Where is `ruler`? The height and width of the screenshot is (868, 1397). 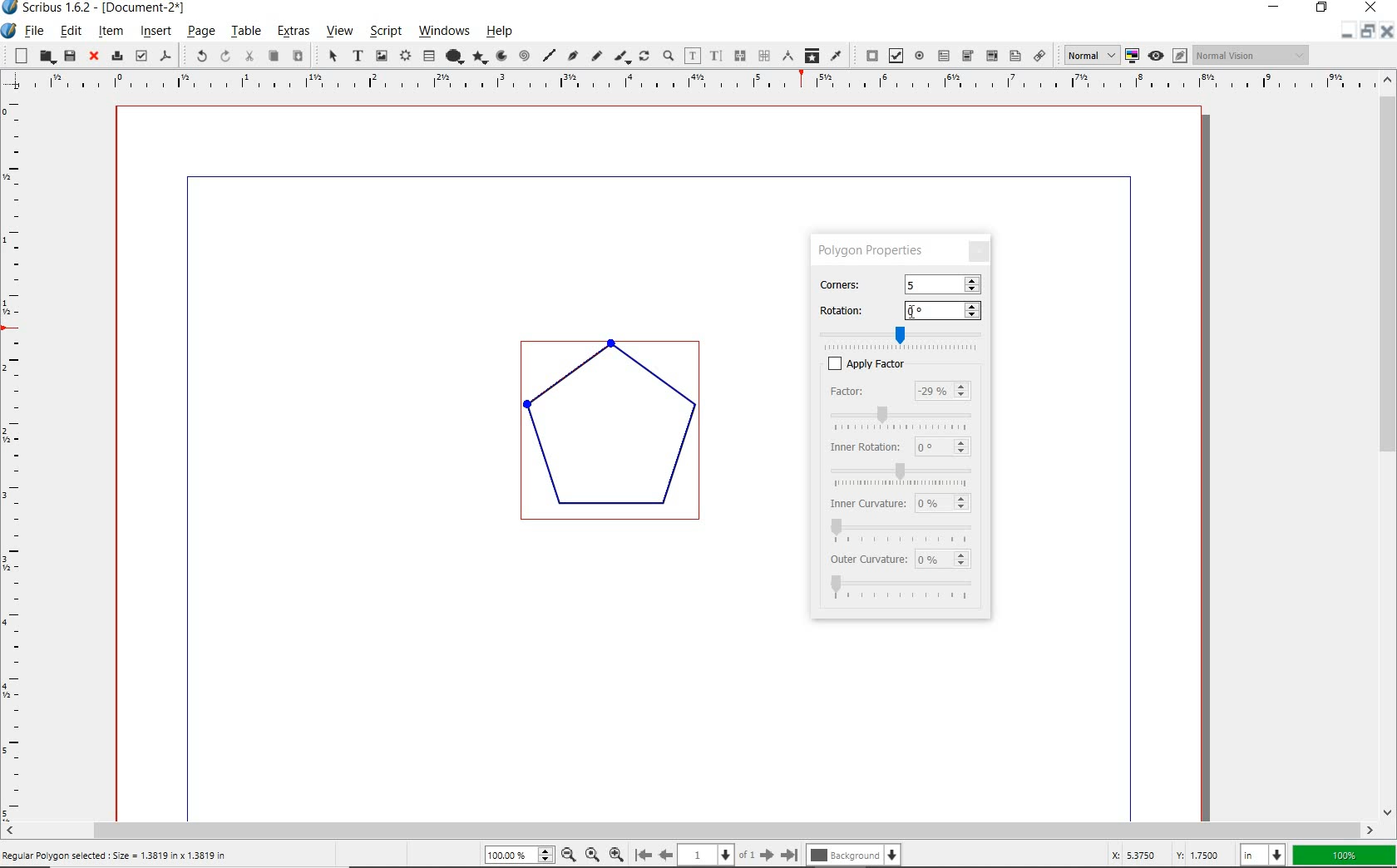 ruler is located at coordinates (698, 84).